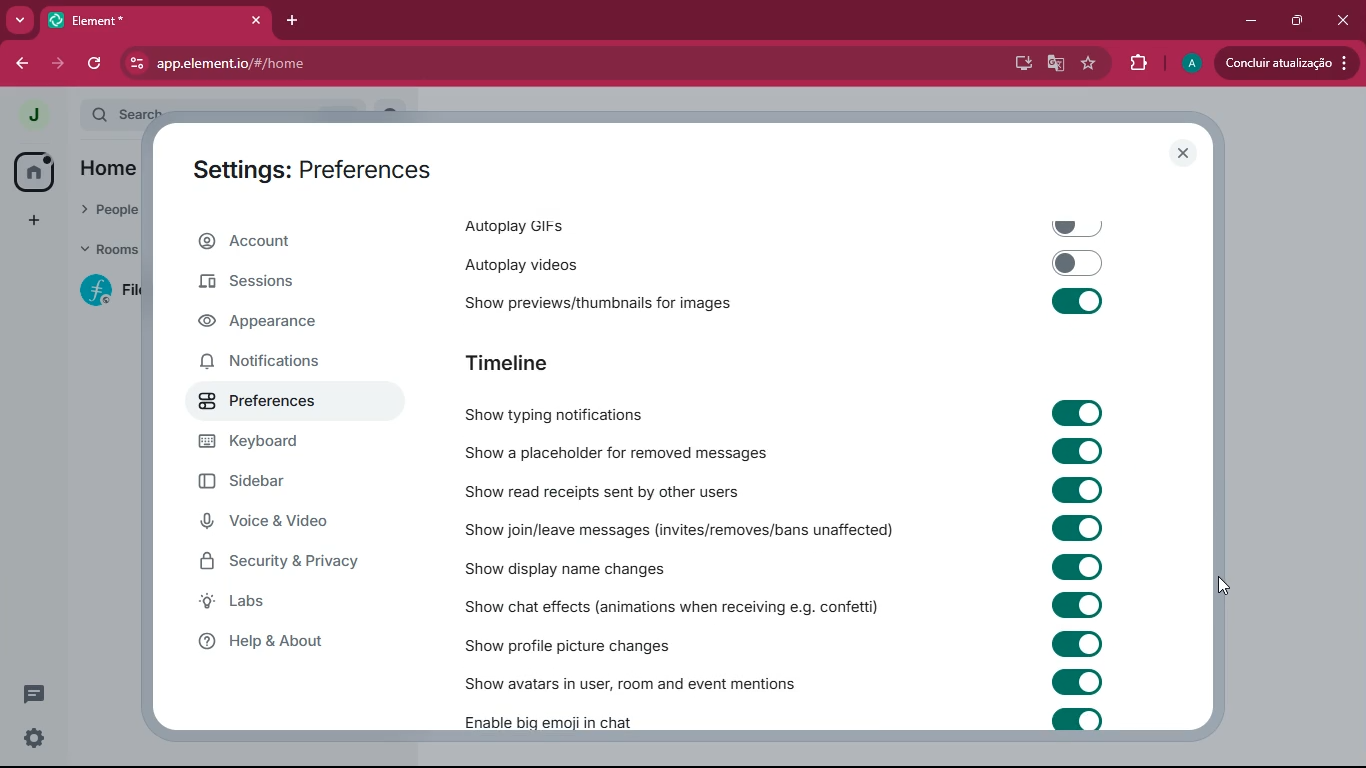 The height and width of the screenshot is (768, 1366). Describe the element at coordinates (1190, 64) in the screenshot. I see `profile picture` at that location.